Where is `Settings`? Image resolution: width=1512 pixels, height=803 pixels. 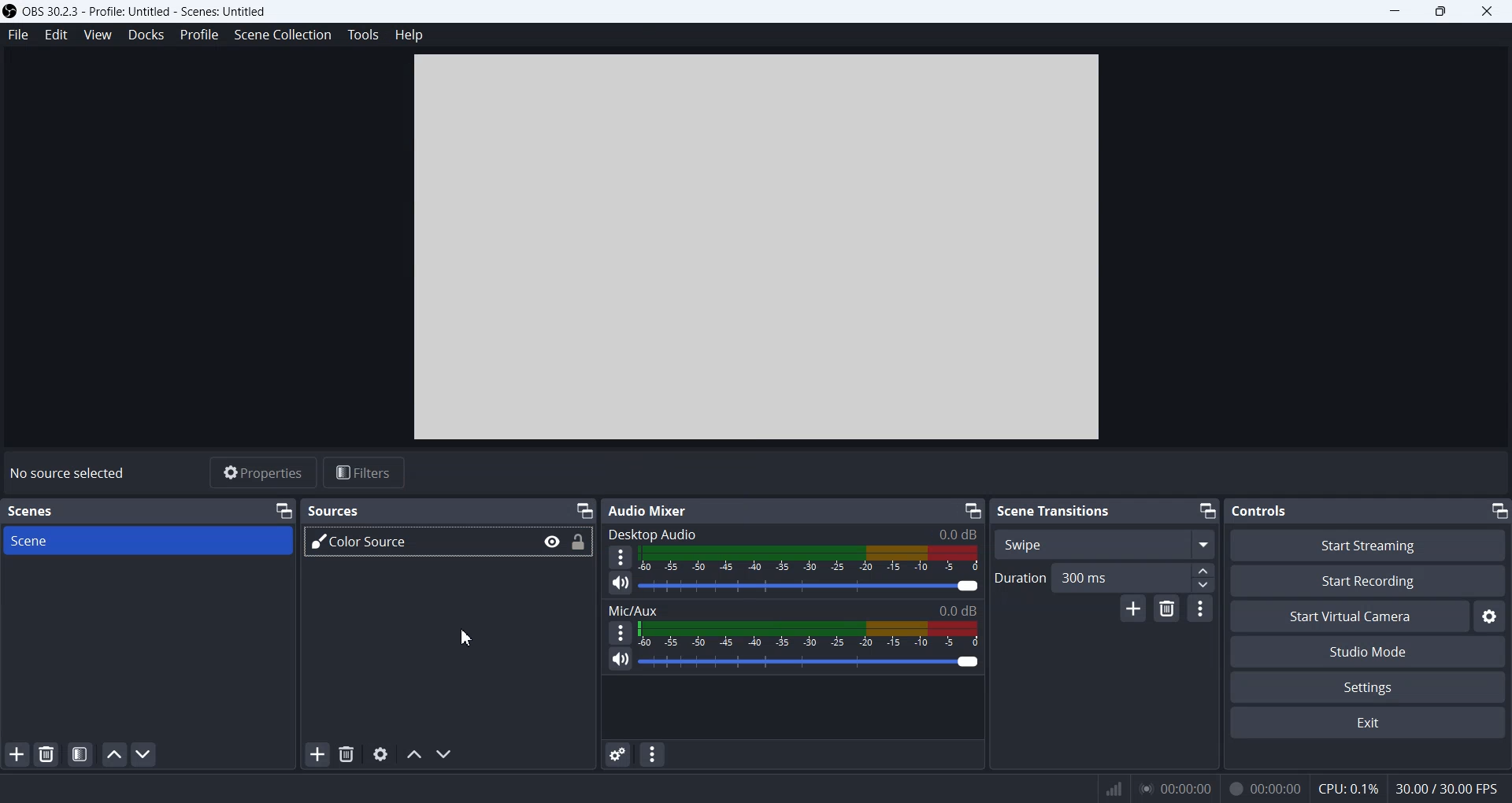
Settings is located at coordinates (1369, 686).